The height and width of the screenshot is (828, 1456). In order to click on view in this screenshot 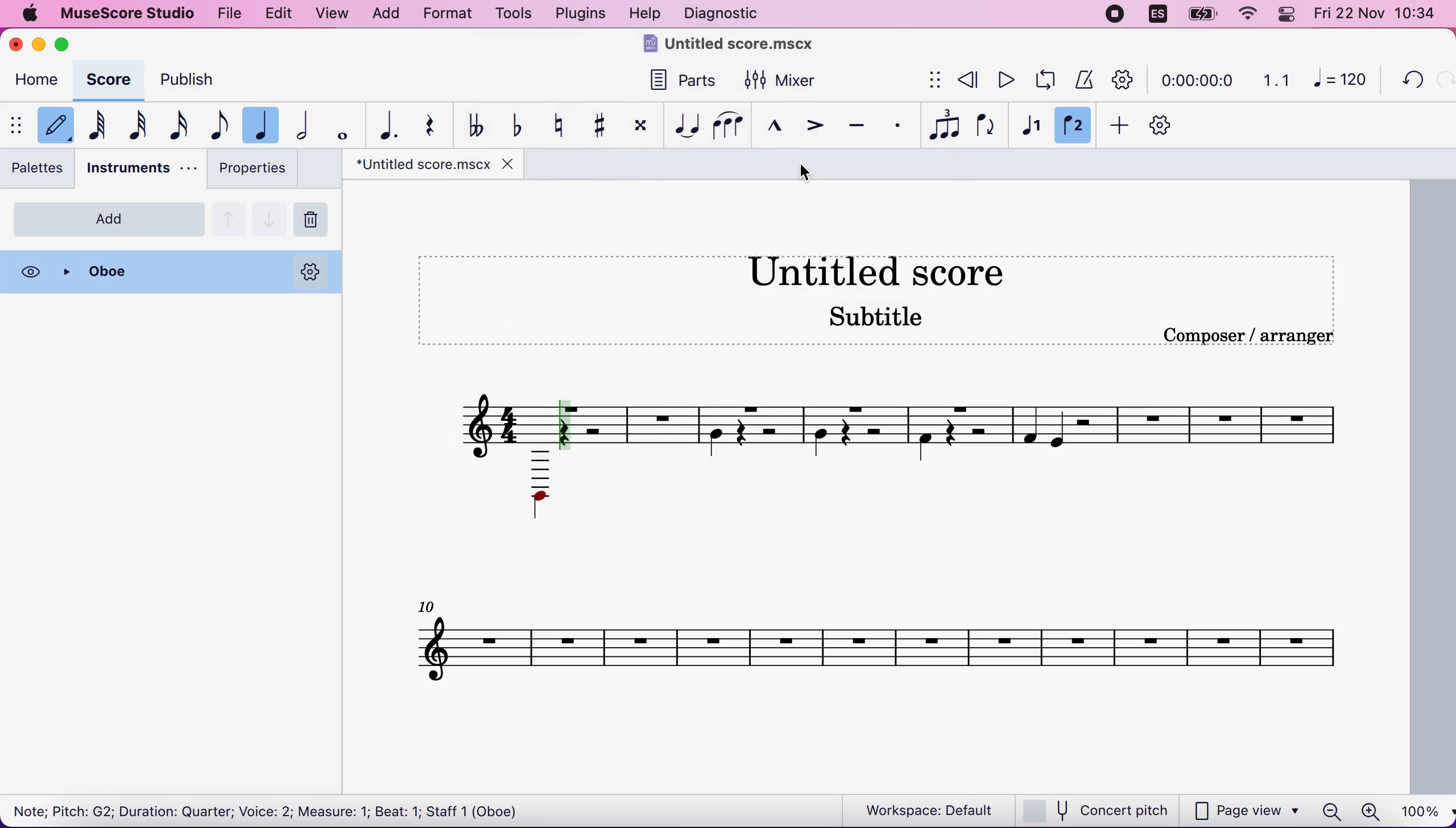, I will do `click(336, 16)`.